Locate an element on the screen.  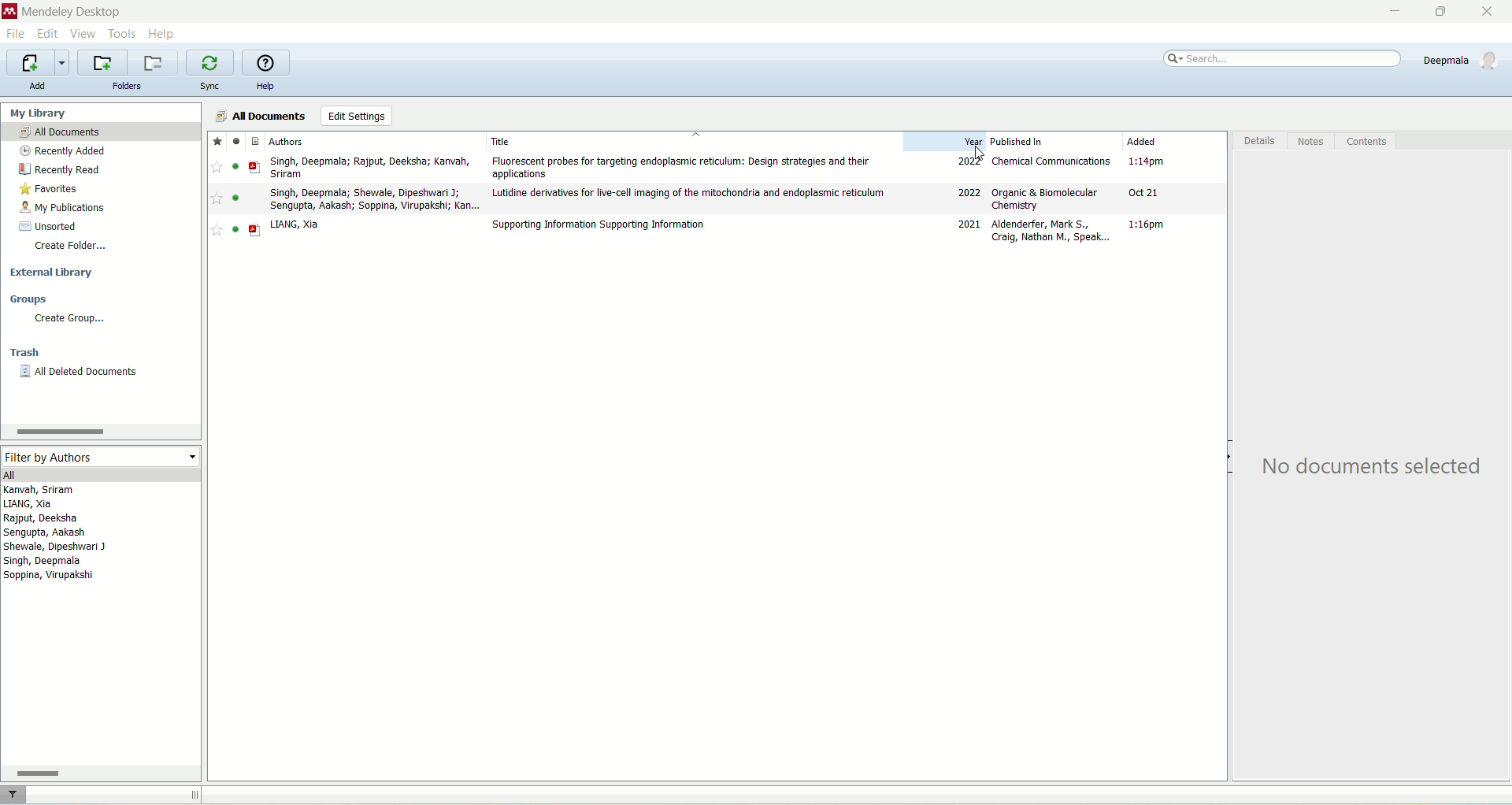
1:14 PM is located at coordinates (1159, 161).